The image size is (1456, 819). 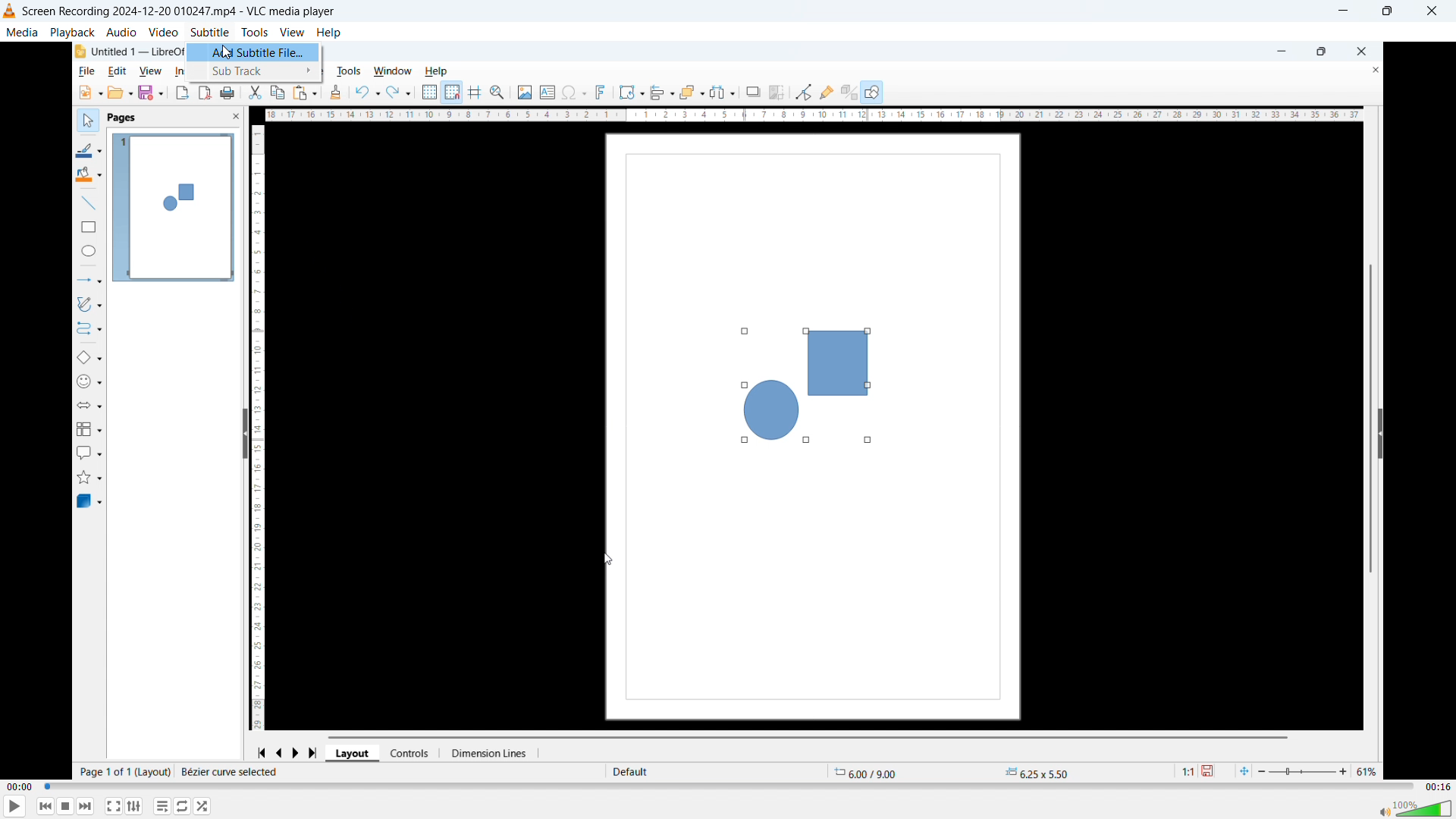 I want to click on close, so click(x=226, y=118).